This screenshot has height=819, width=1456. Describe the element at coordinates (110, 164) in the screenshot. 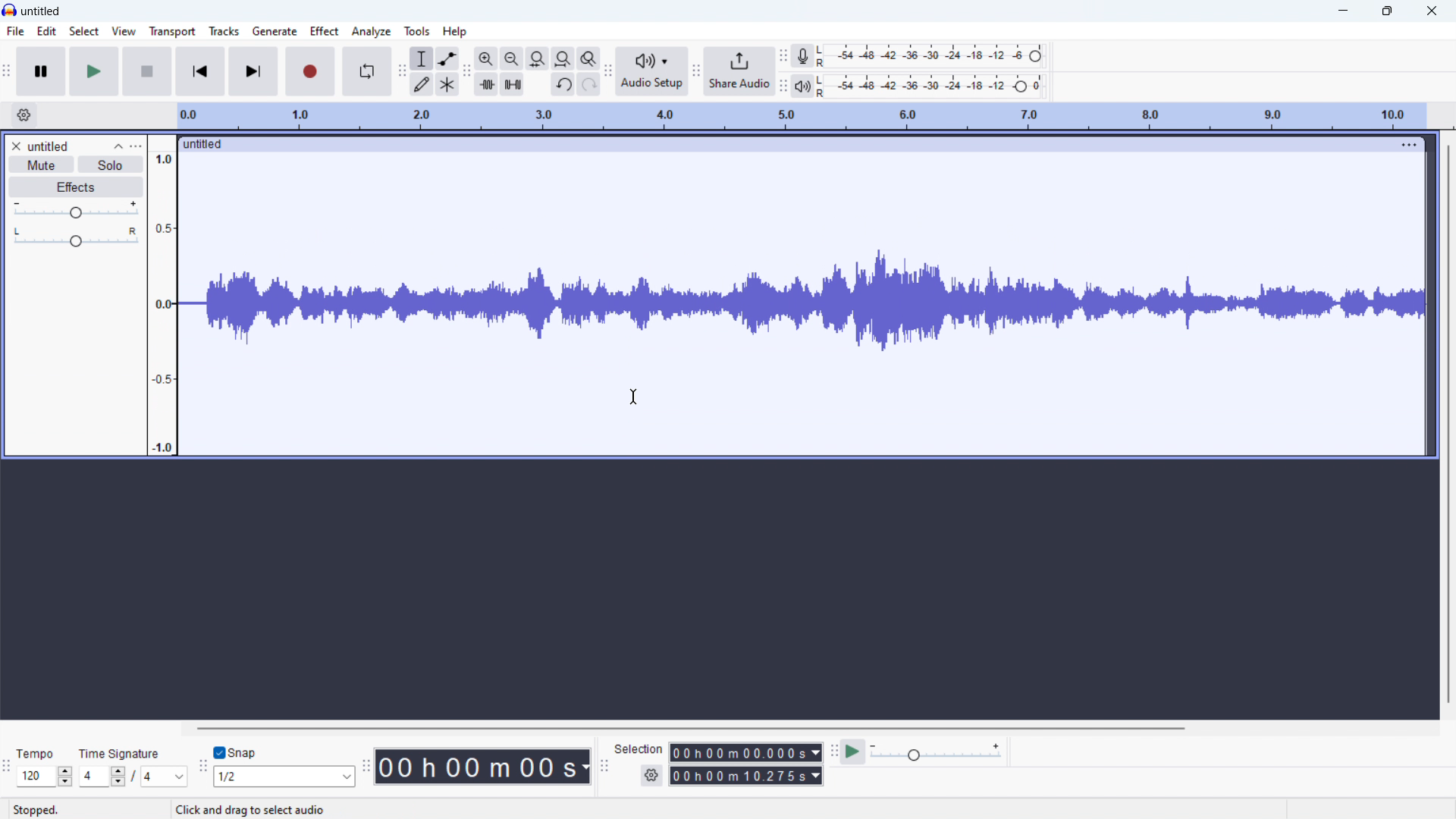

I see `solo` at that location.